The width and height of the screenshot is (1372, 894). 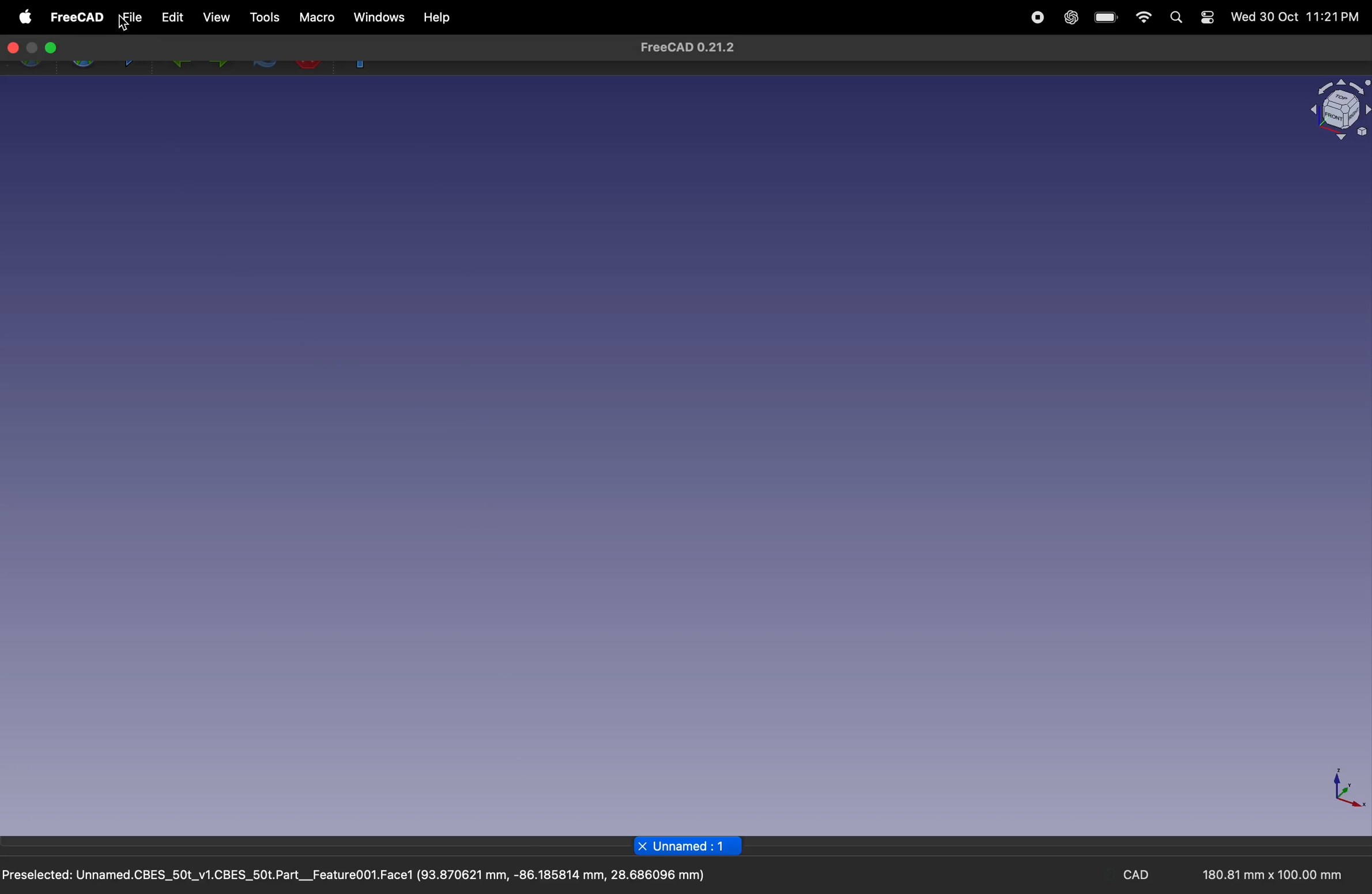 I want to click on search, so click(x=1175, y=18).